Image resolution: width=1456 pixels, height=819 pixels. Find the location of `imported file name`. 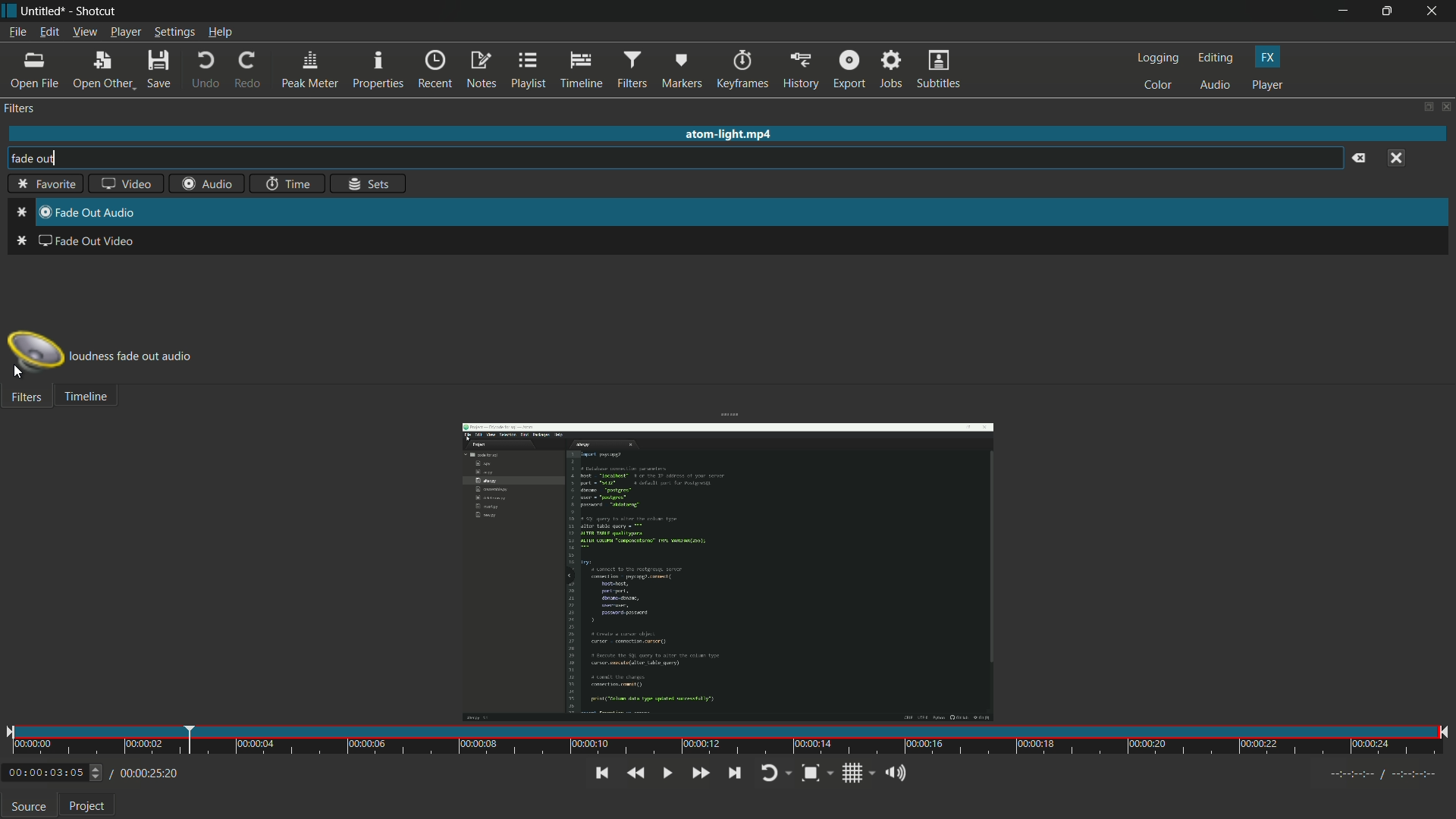

imported file name is located at coordinates (730, 136).